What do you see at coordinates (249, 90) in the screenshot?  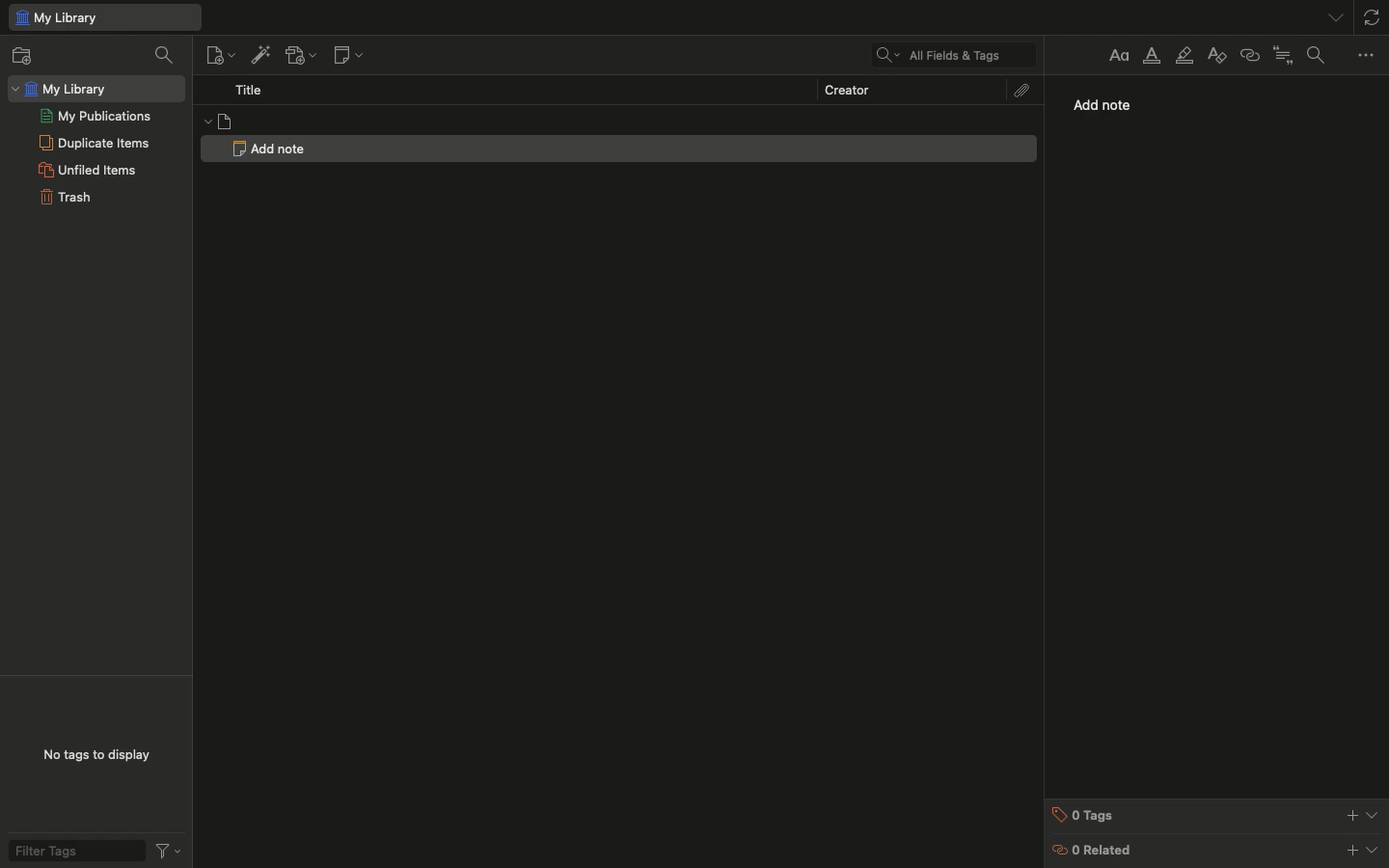 I see `Title` at bounding box center [249, 90].